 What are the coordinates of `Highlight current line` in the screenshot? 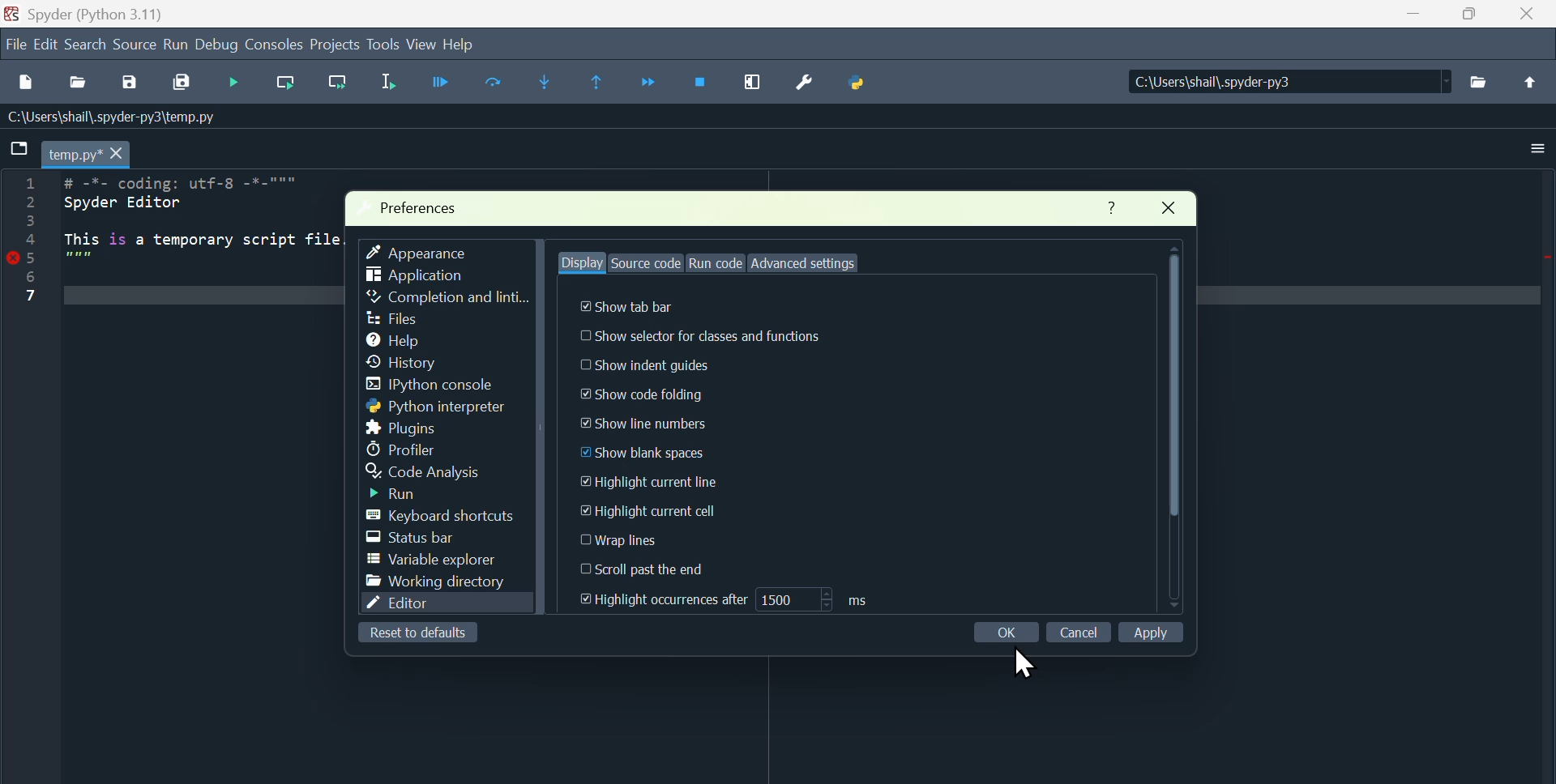 It's located at (655, 484).